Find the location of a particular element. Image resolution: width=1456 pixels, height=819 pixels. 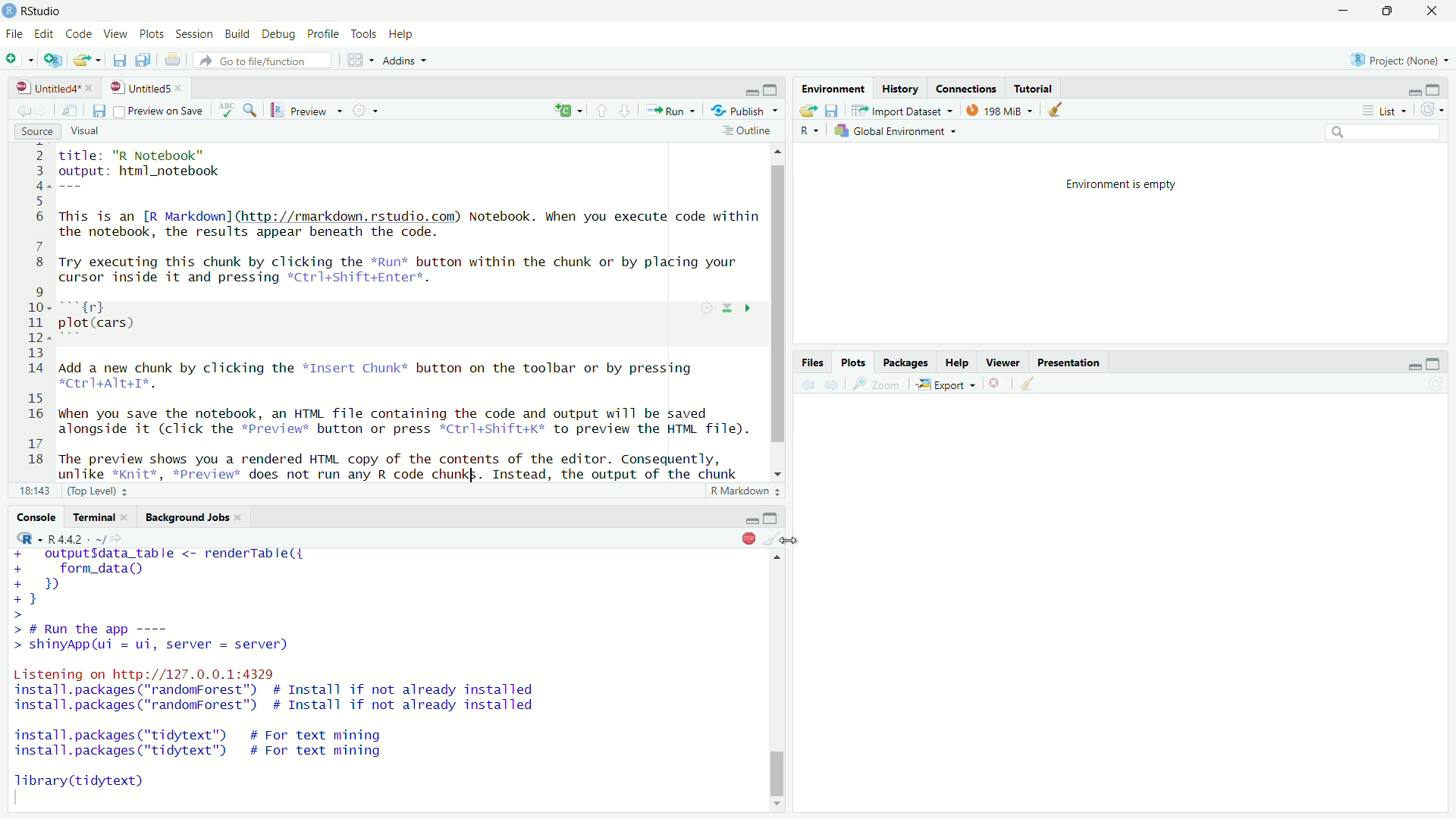

Project: (None)  is located at coordinates (1395, 58).